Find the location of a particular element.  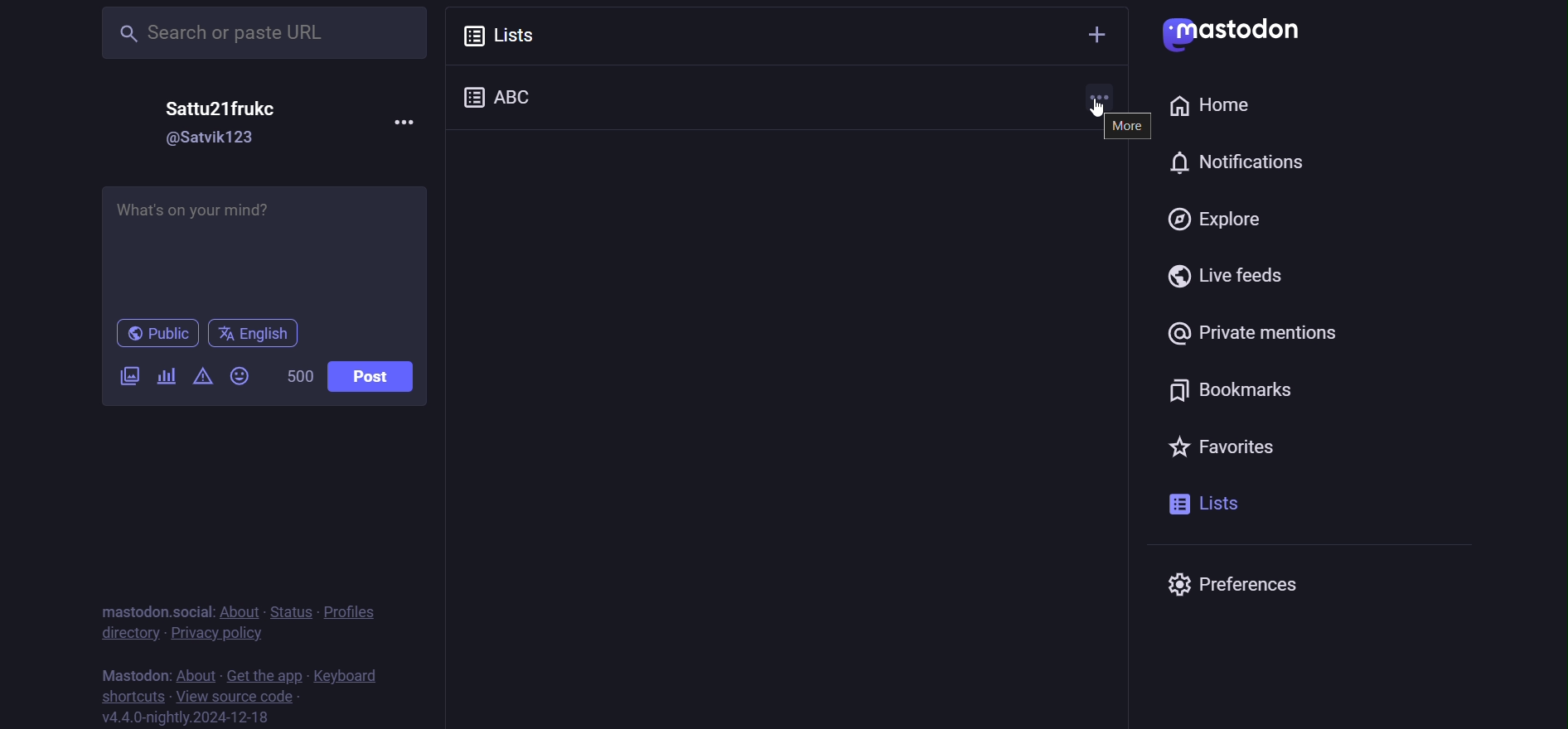

explore is located at coordinates (1215, 216).